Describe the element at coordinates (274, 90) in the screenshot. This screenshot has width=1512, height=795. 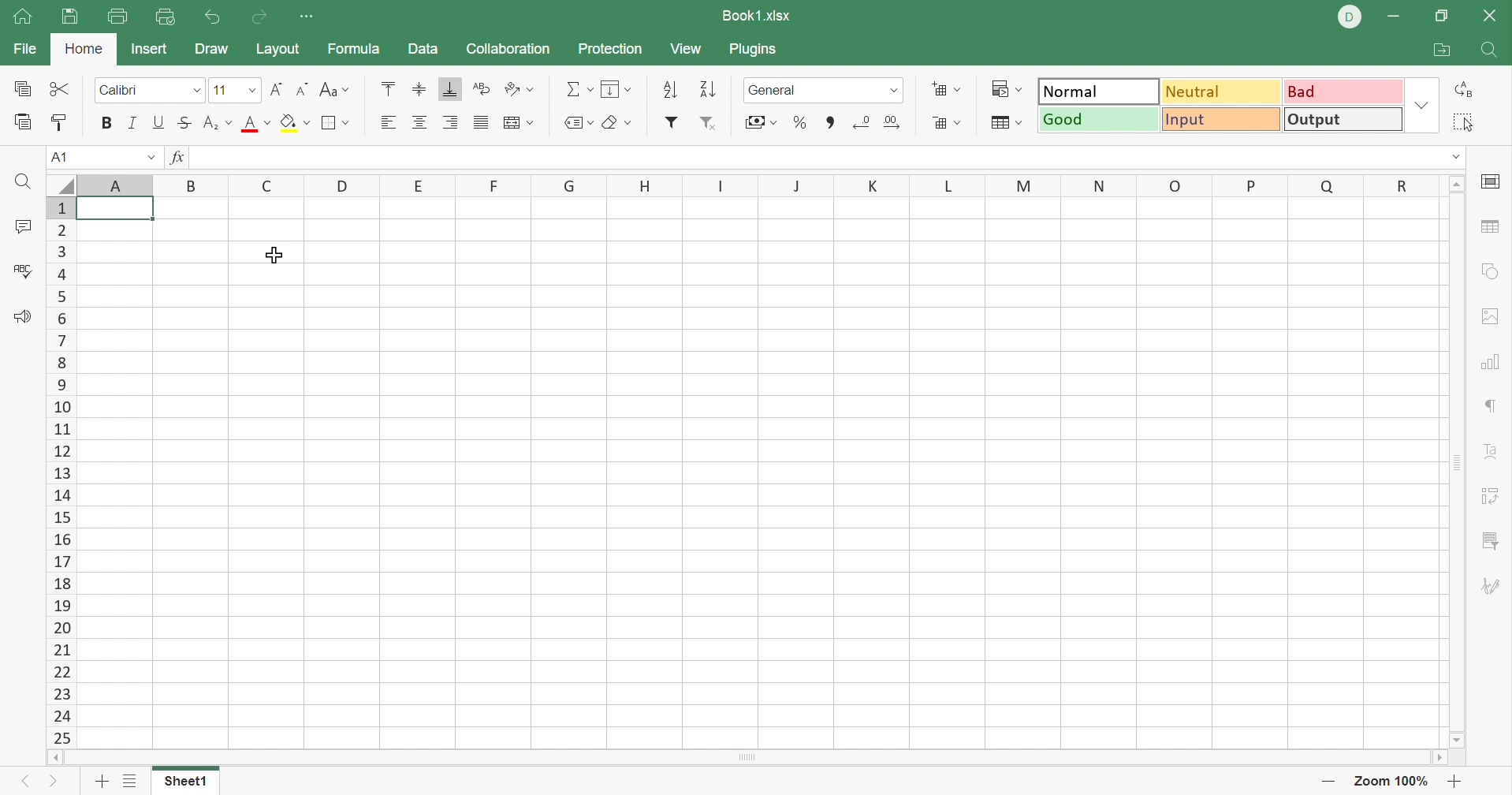
I see `Increment font size` at that location.